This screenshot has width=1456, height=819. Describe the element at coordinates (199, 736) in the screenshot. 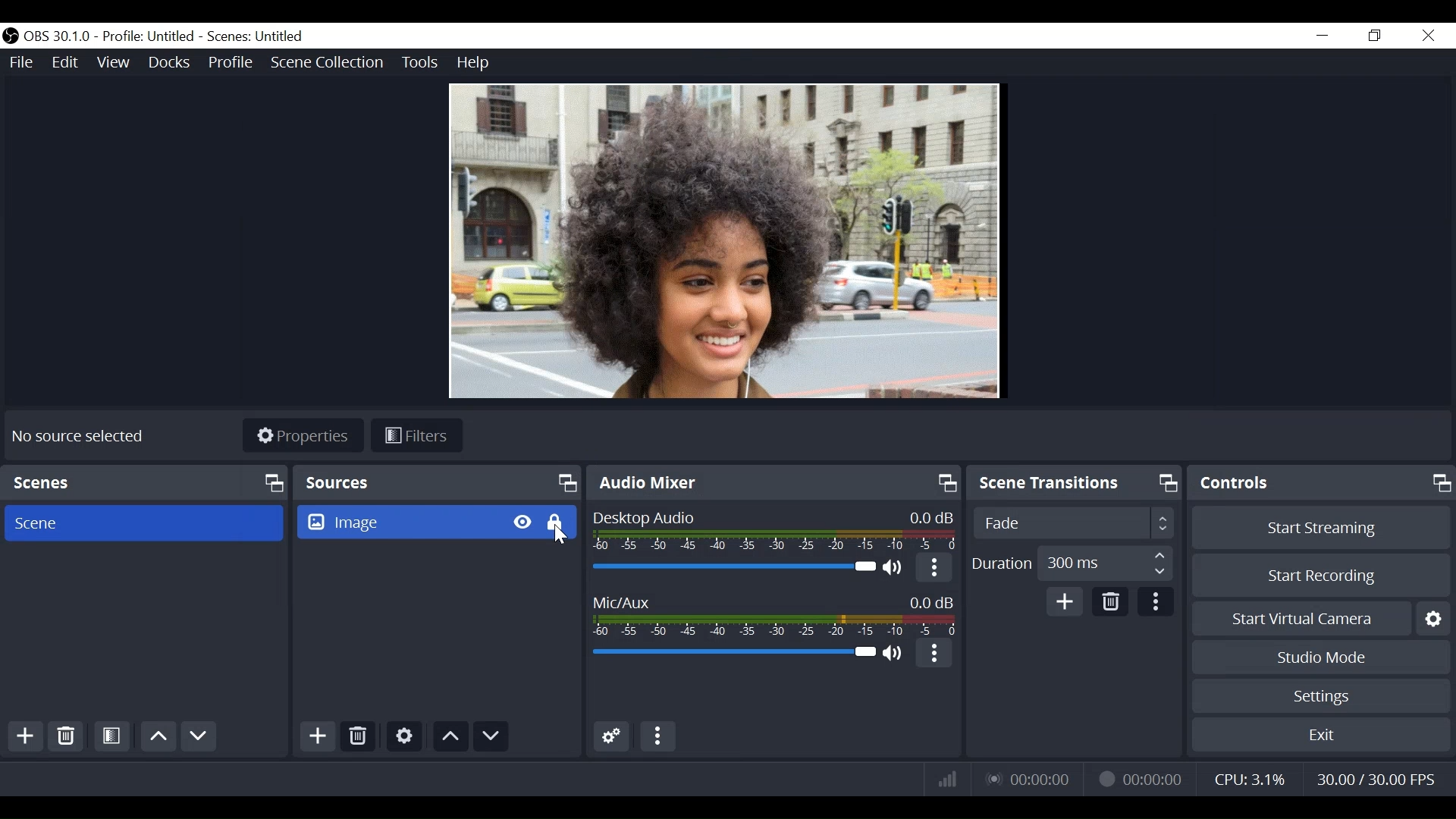

I see `Move Down` at that location.